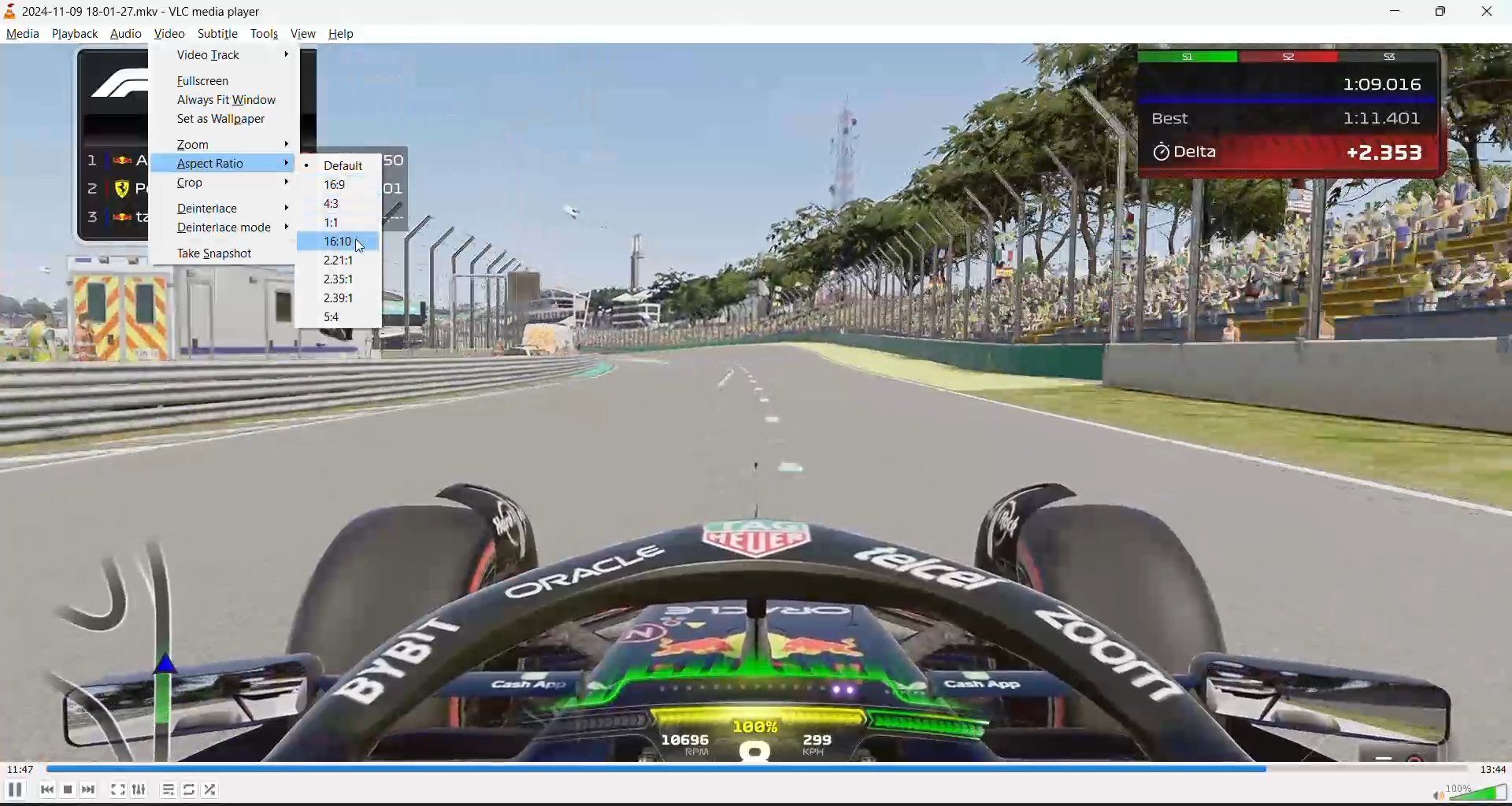  What do you see at coordinates (341, 242) in the screenshot?
I see `16:10` at bounding box center [341, 242].